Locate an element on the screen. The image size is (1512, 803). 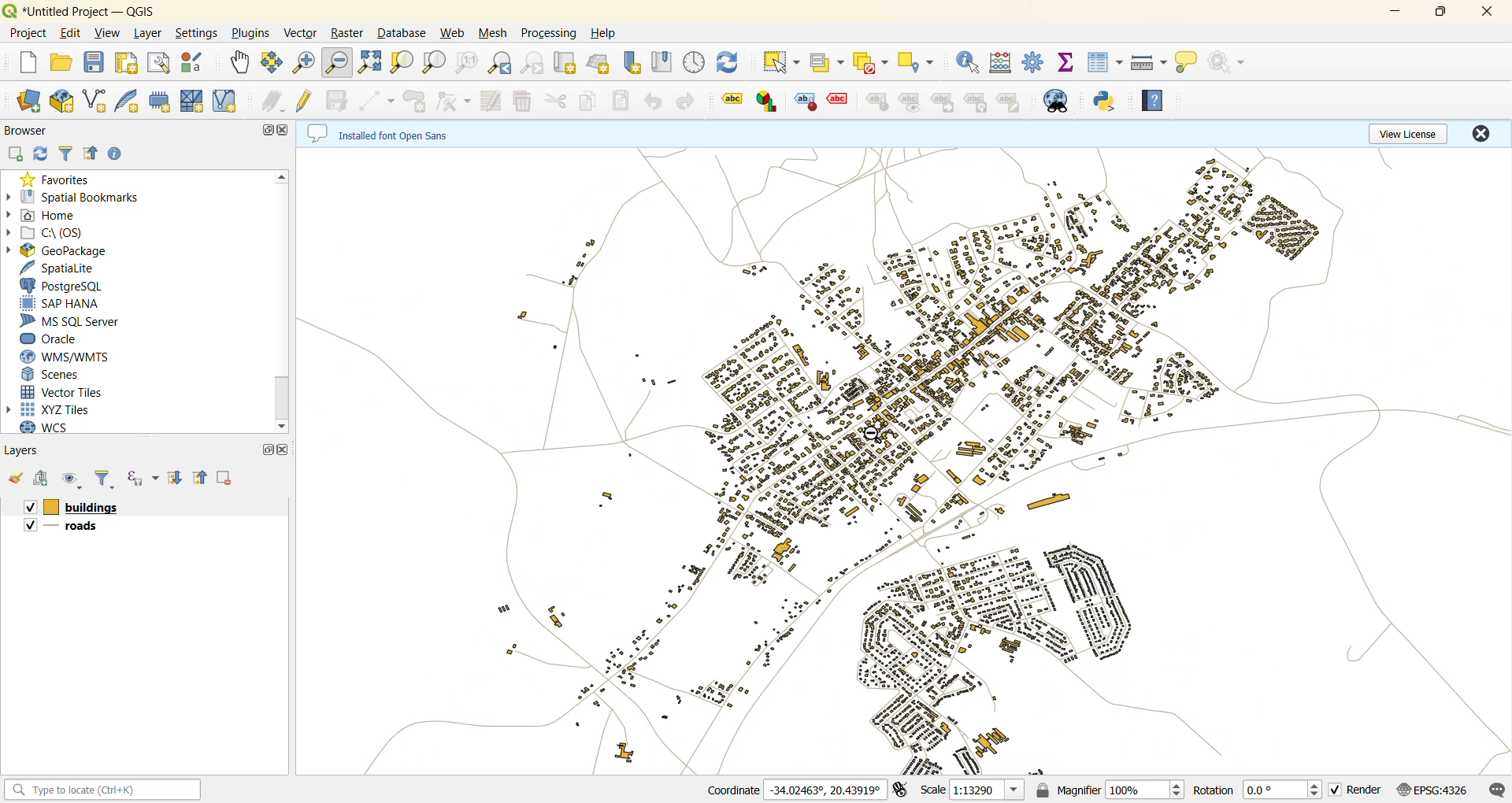
layers is located at coordinates (69, 527).